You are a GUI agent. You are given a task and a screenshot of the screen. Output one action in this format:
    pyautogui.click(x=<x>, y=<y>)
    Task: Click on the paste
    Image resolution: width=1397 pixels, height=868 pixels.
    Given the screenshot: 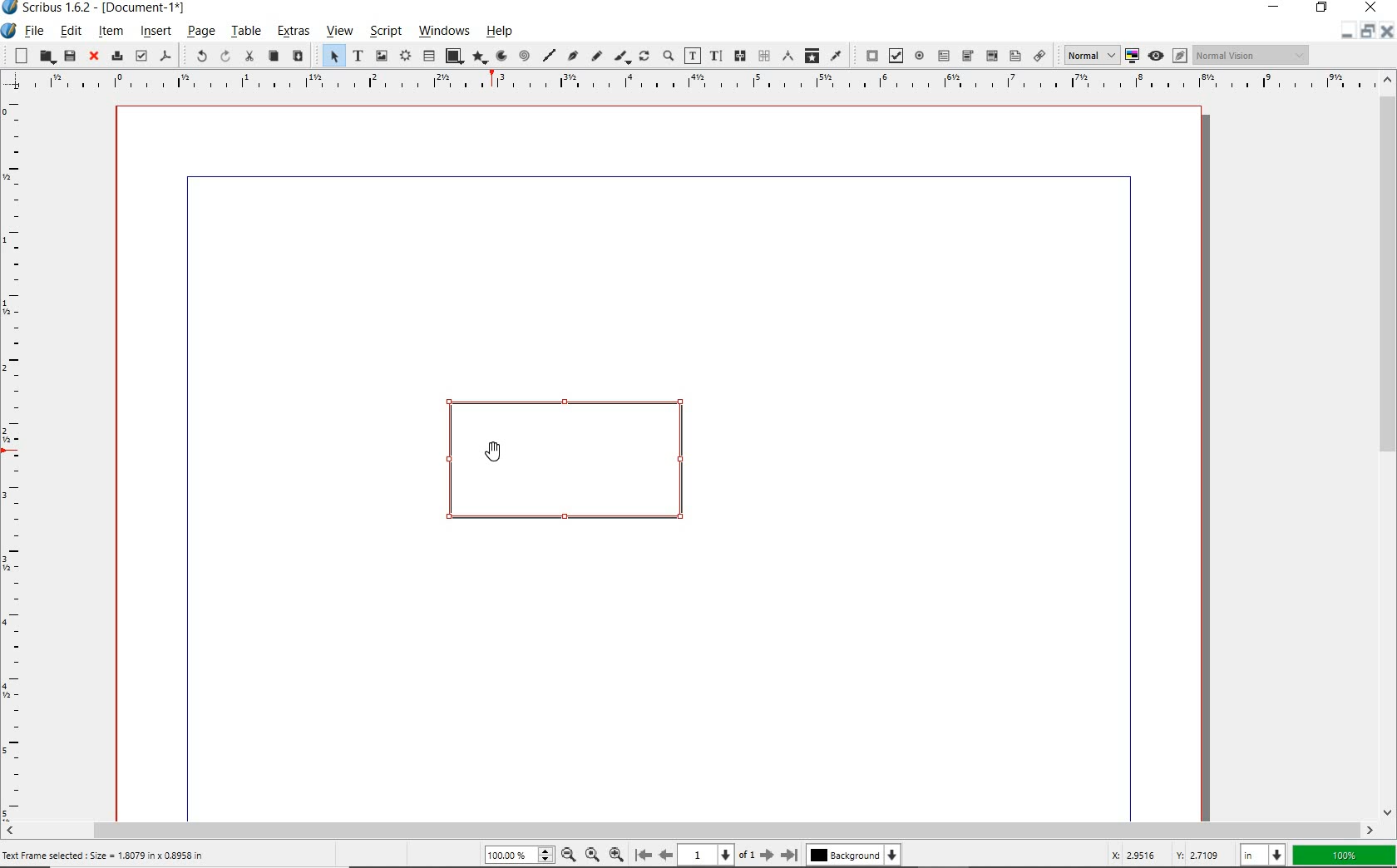 What is the action you would take?
    pyautogui.click(x=299, y=57)
    